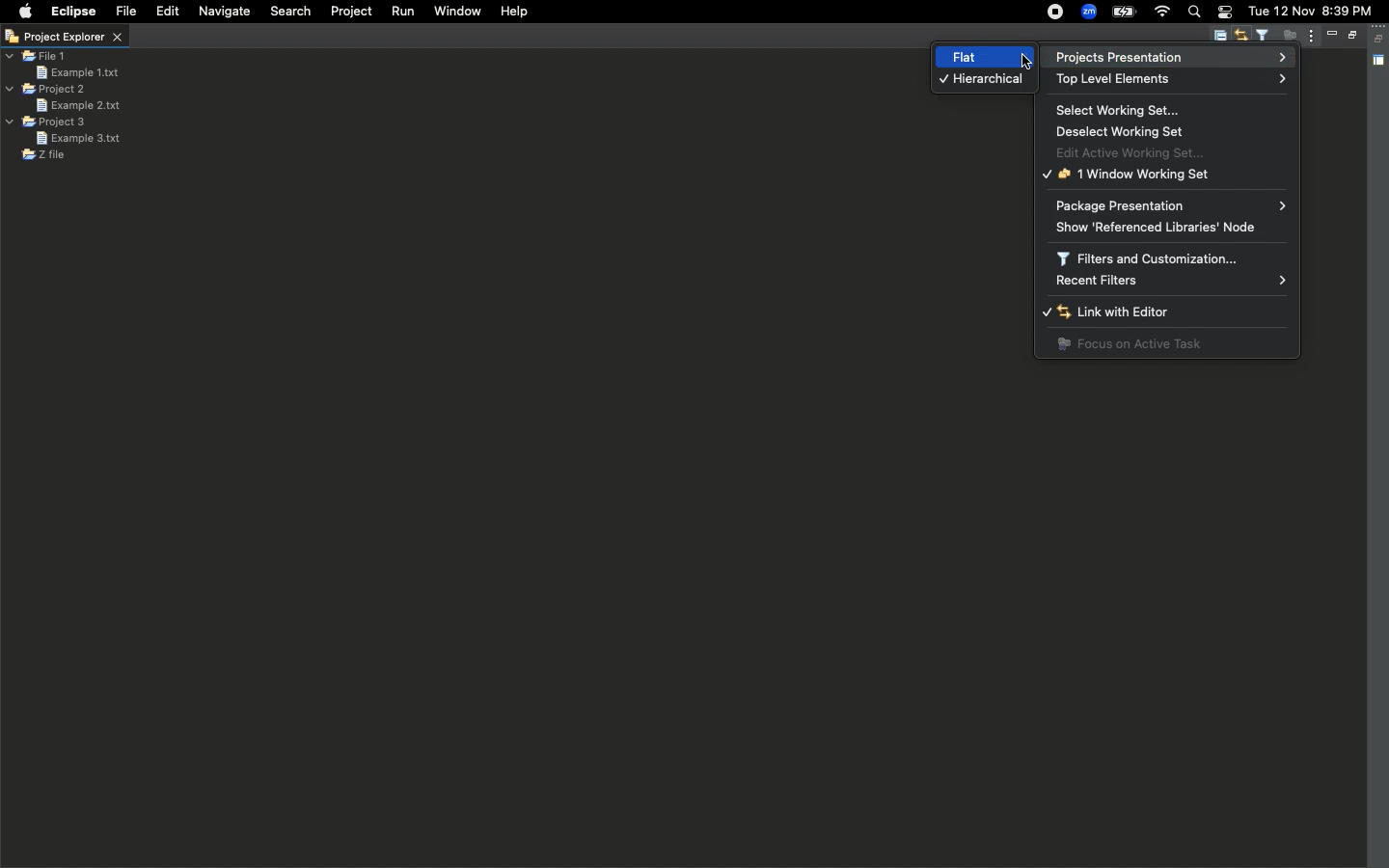 This screenshot has height=868, width=1389. What do you see at coordinates (516, 13) in the screenshot?
I see `Help` at bounding box center [516, 13].